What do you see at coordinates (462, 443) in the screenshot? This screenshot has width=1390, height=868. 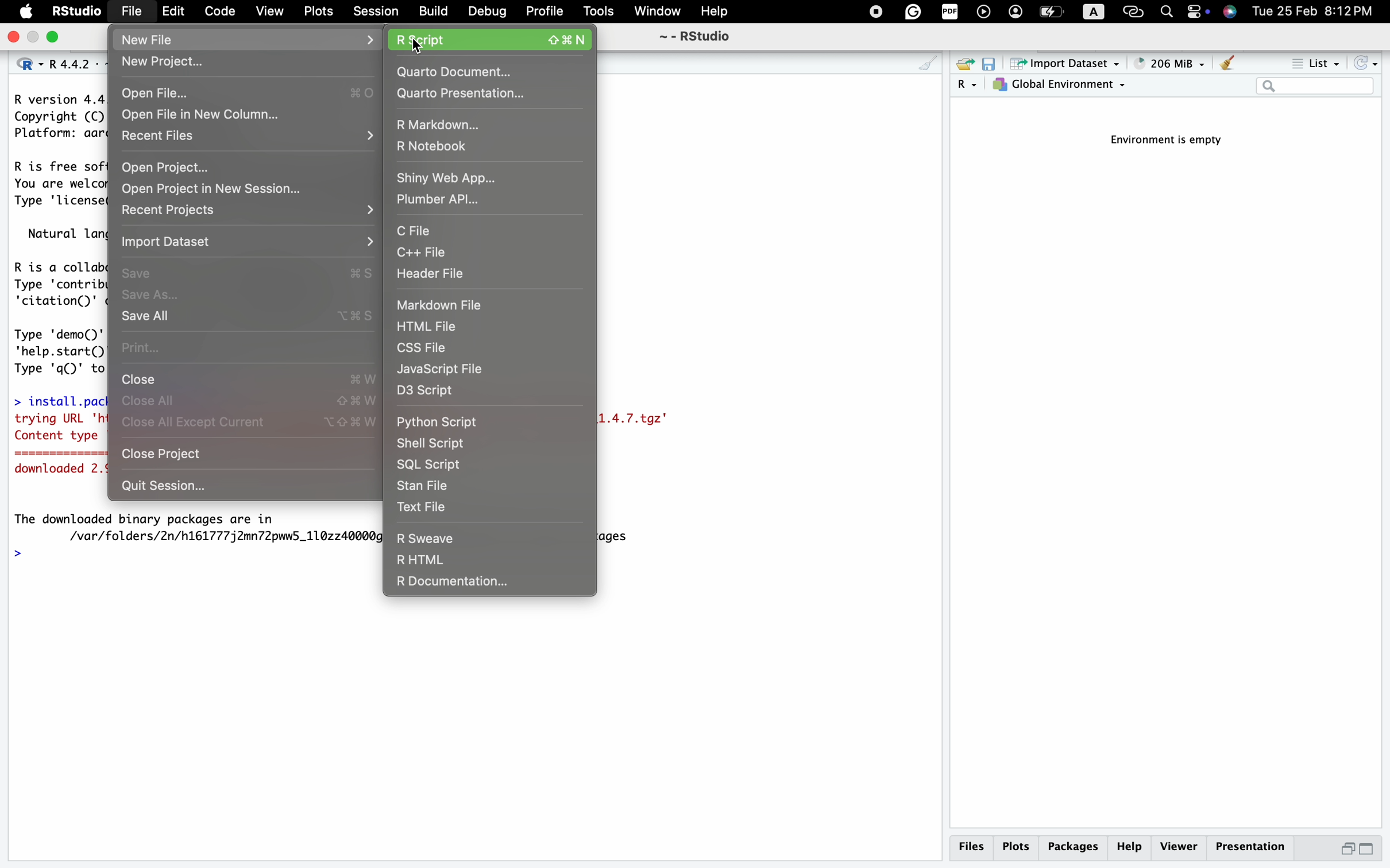 I see `shell script` at bounding box center [462, 443].